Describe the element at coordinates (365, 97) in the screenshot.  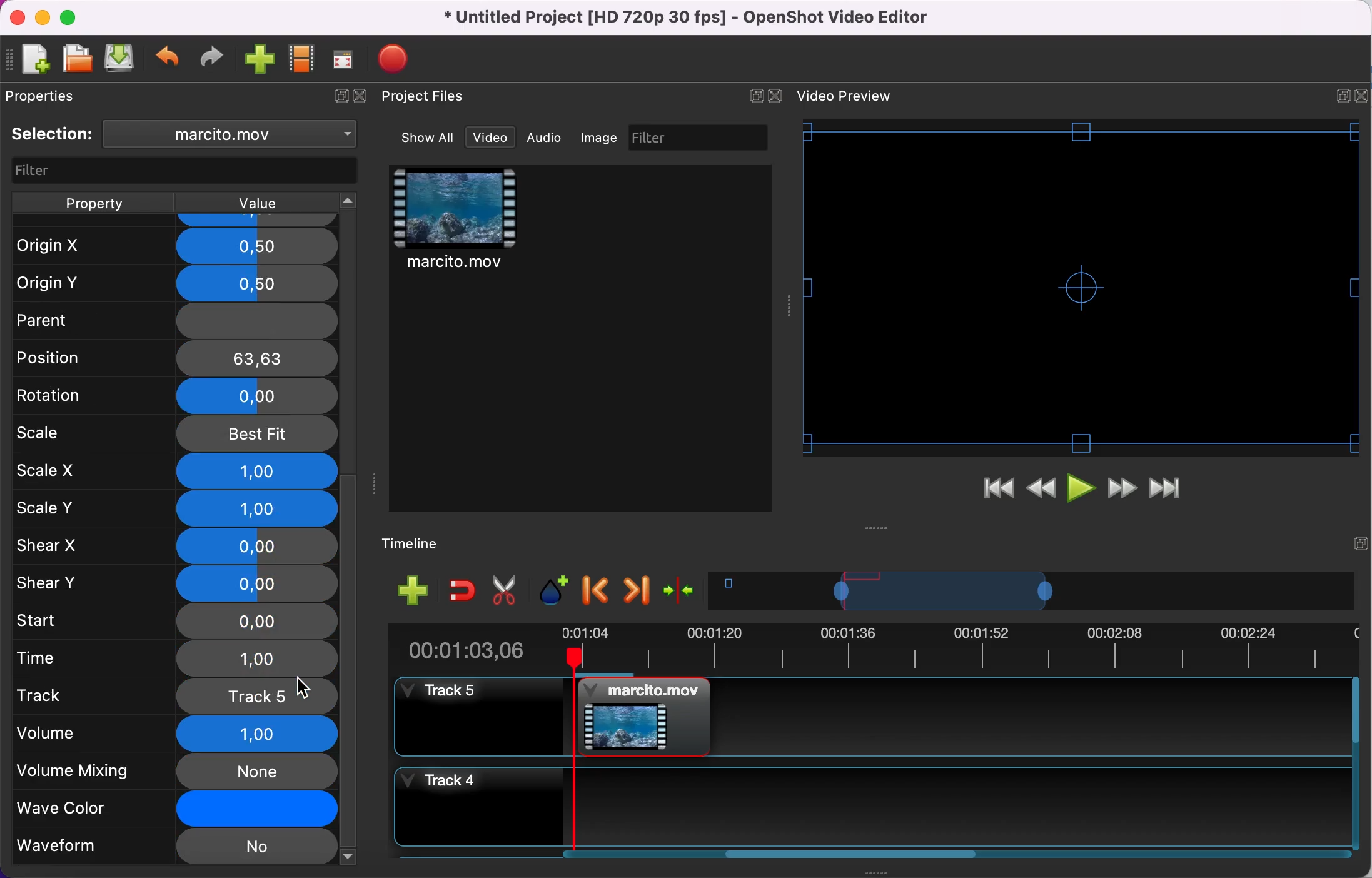
I see `close` at that location.